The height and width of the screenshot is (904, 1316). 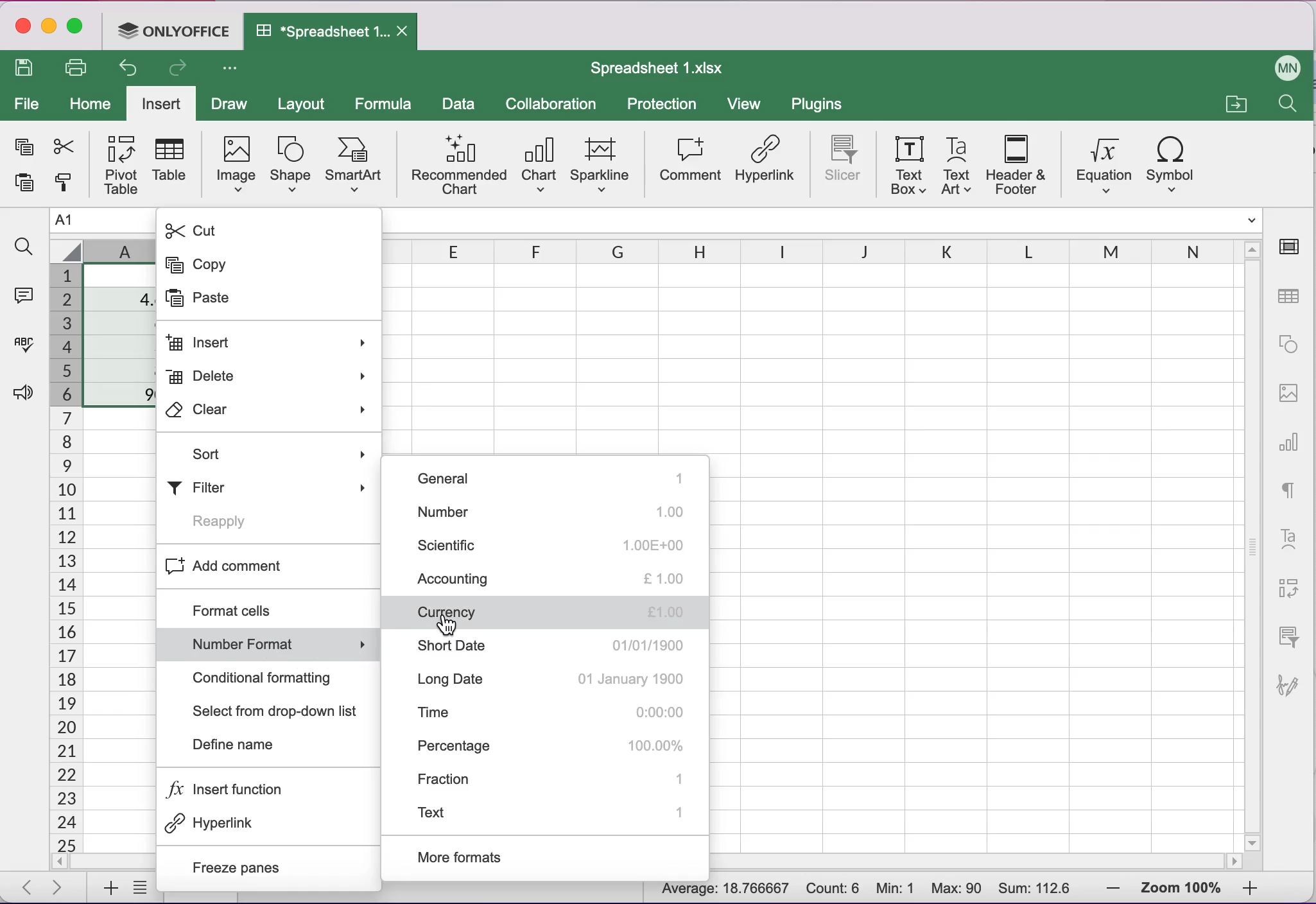 I want to click on Select from drop-down list, so click(x=277, y=711).